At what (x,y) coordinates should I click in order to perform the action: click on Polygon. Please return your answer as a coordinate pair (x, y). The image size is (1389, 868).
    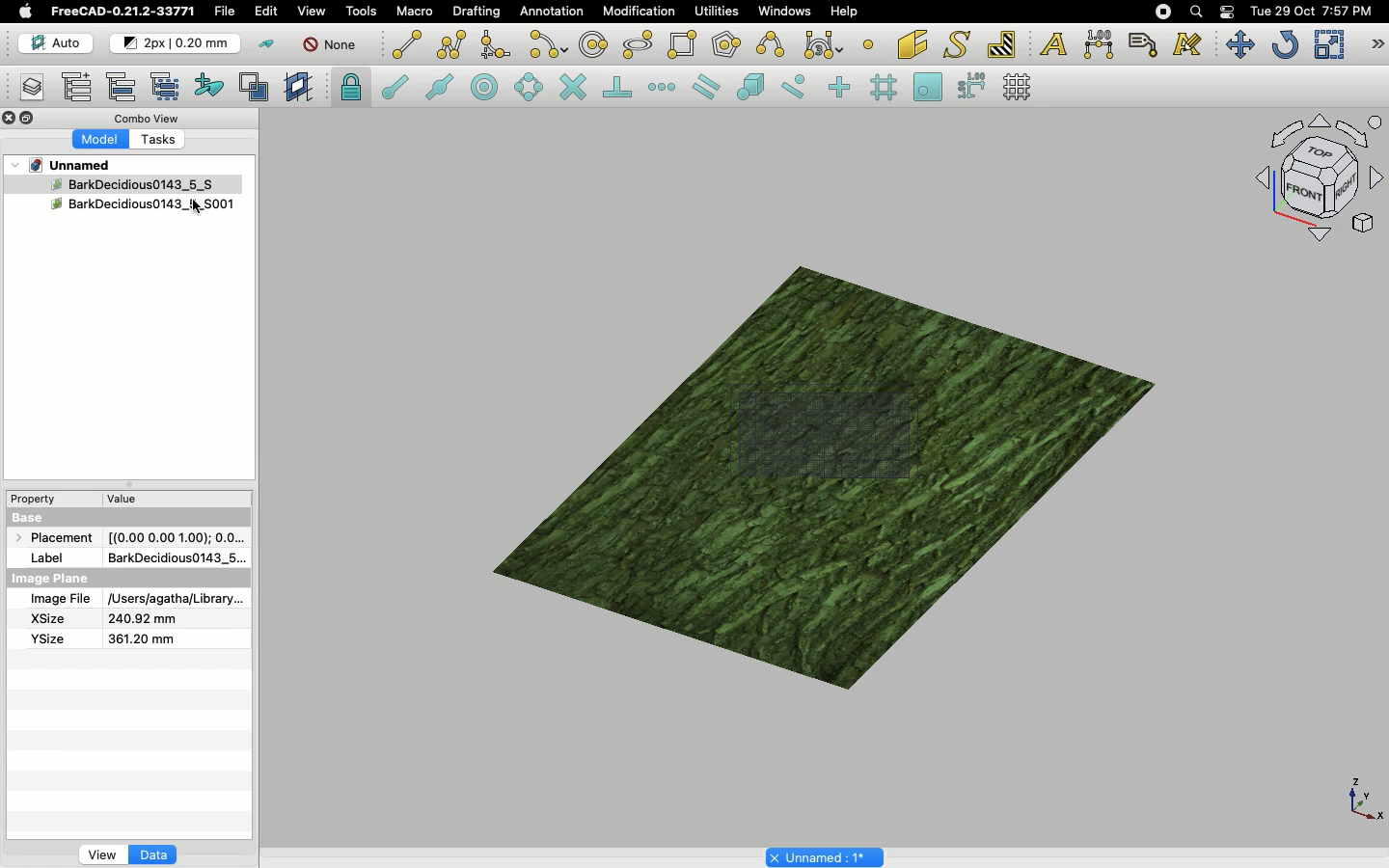
    Looking at the image, I should click on (728, 47).